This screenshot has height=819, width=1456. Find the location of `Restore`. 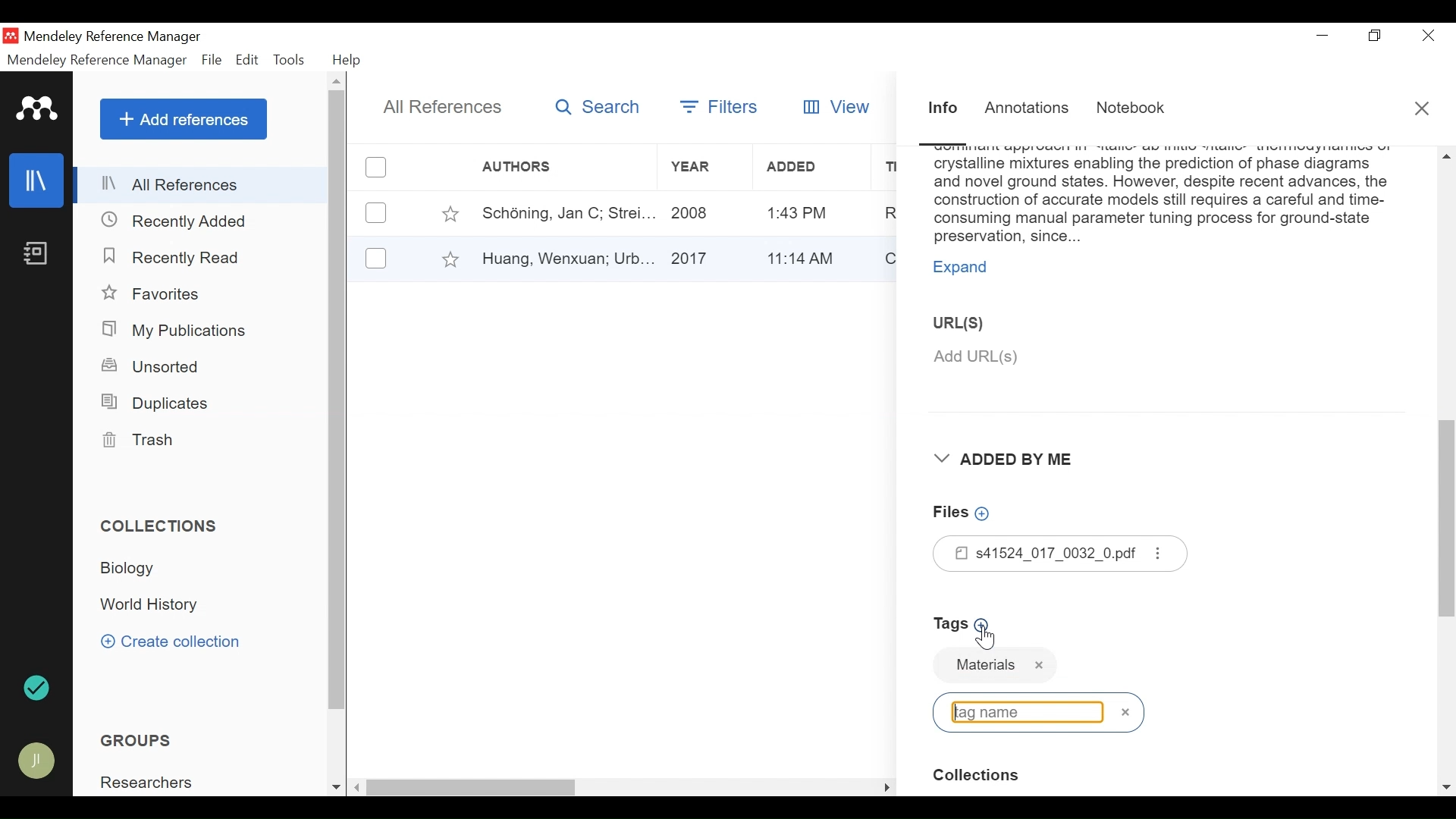

Restore is located at coordinates (1377, 36).